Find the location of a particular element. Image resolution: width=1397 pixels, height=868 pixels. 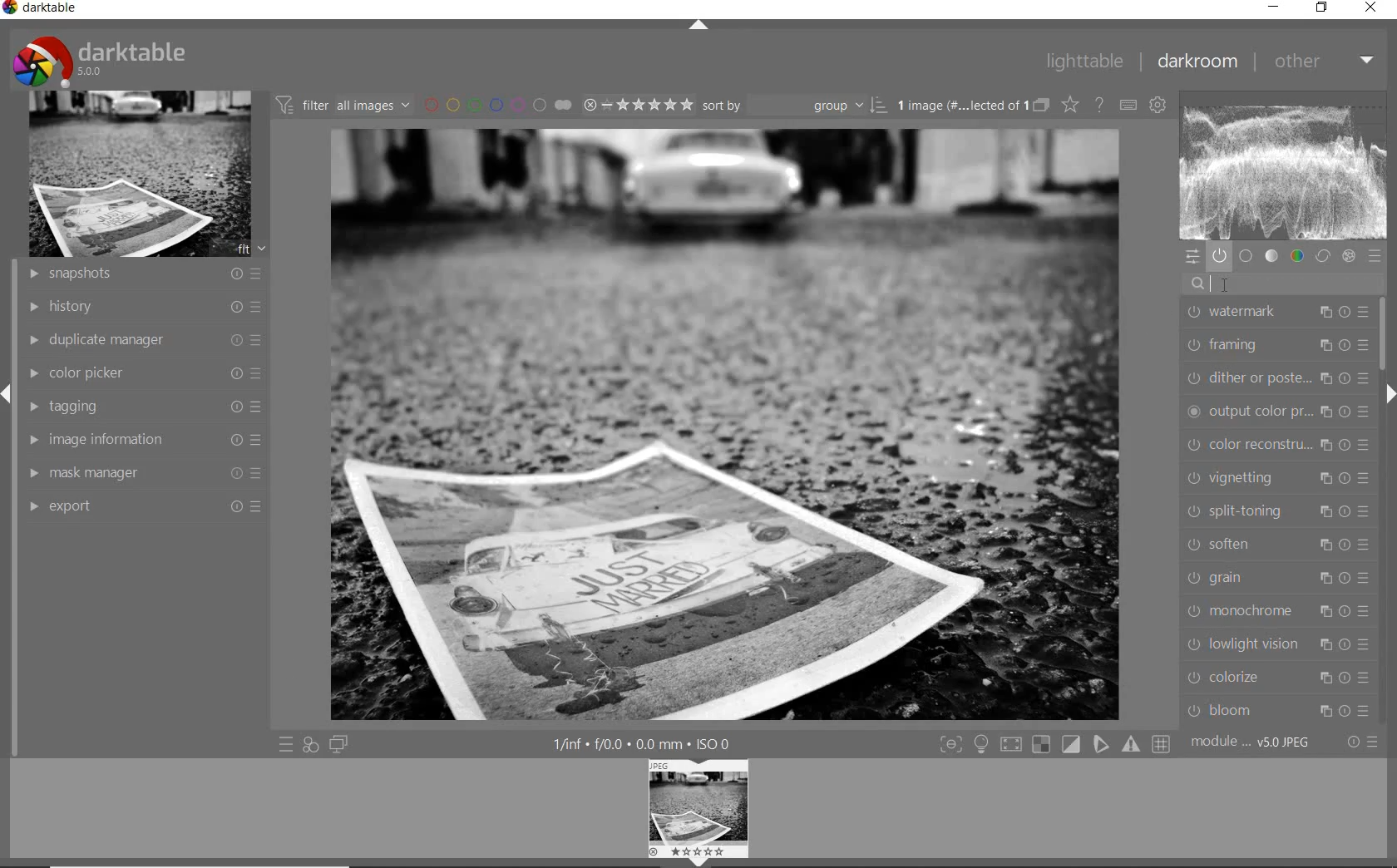

selected image is located at coordinates (725, 424).